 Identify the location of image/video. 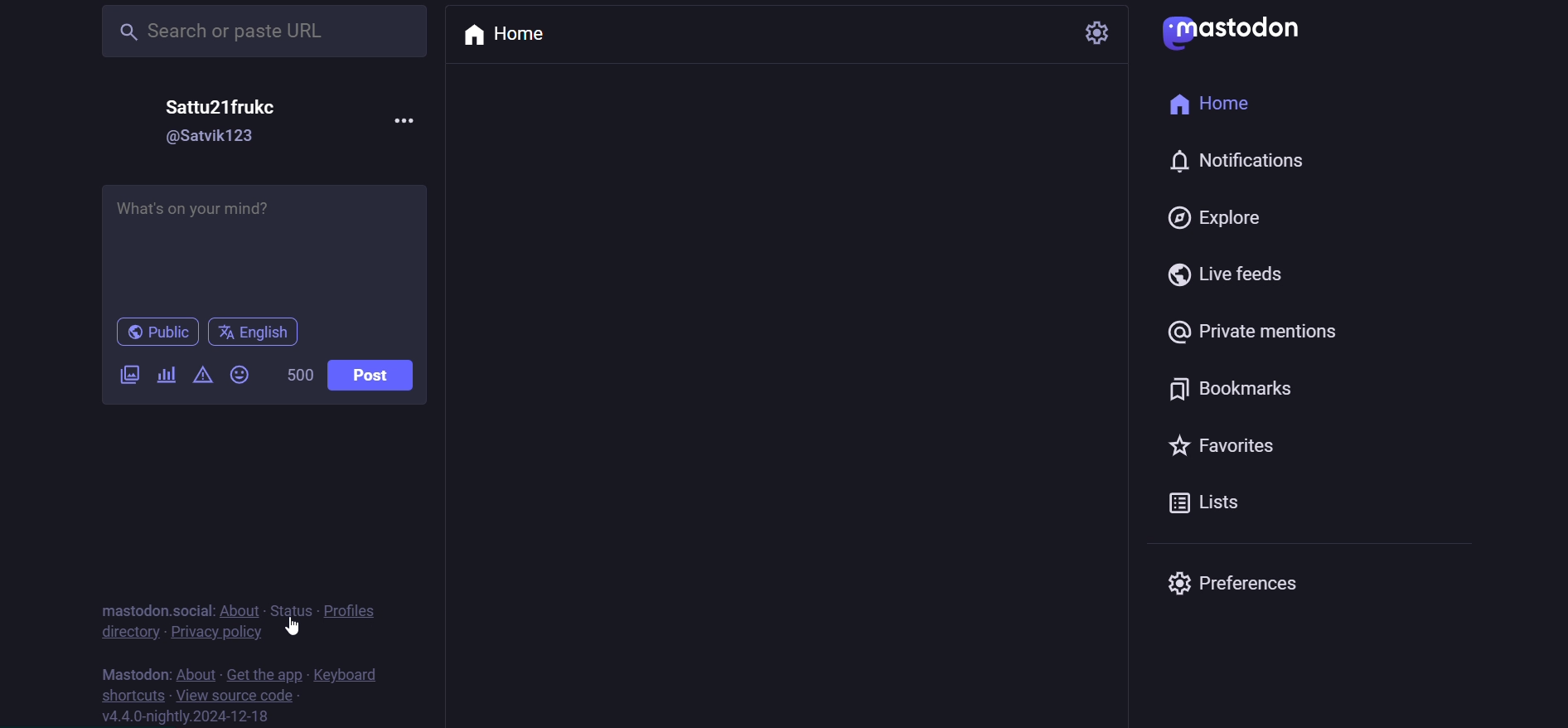
(126, 374).